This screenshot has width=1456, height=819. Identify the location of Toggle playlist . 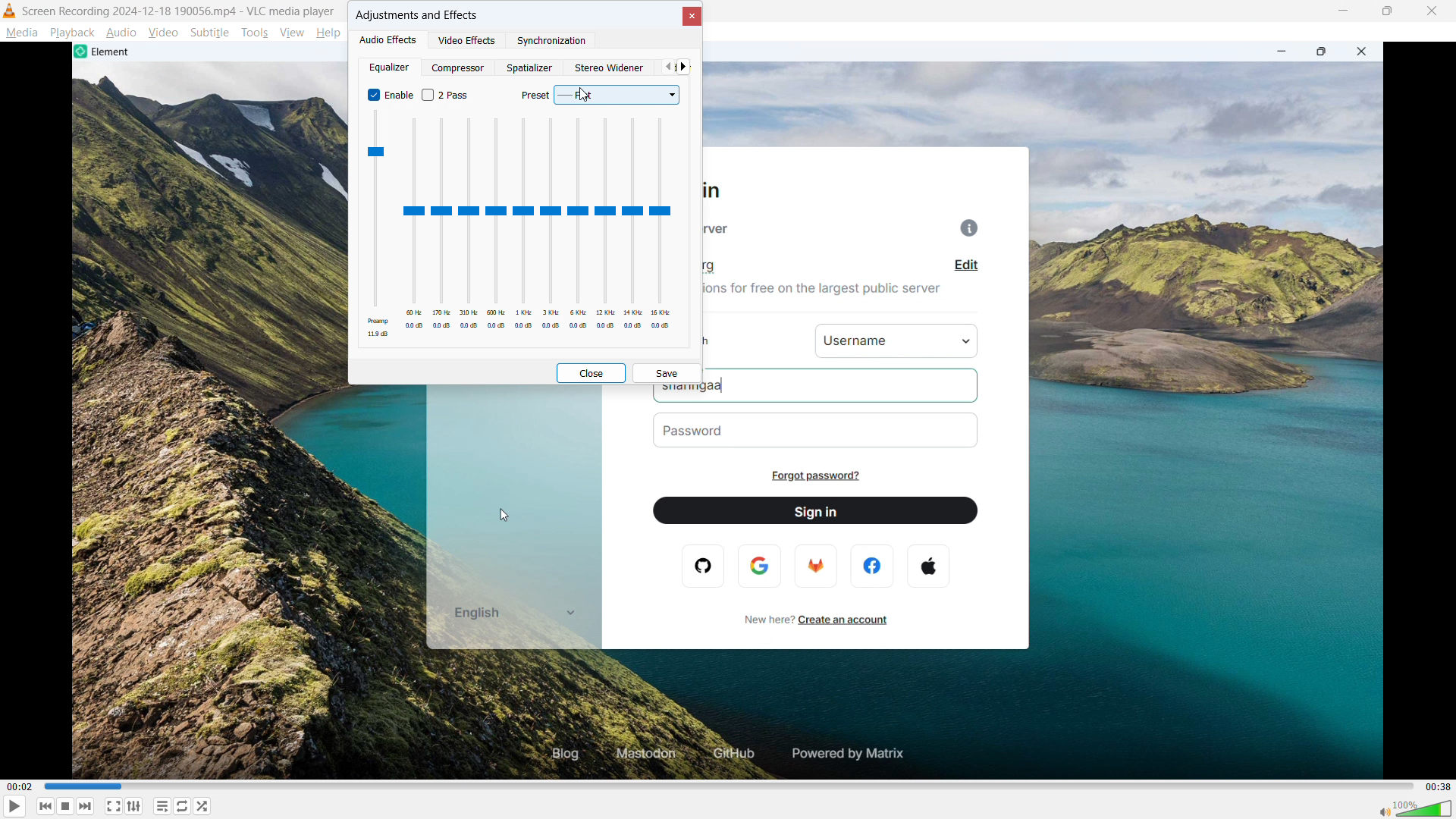
(162, 806).